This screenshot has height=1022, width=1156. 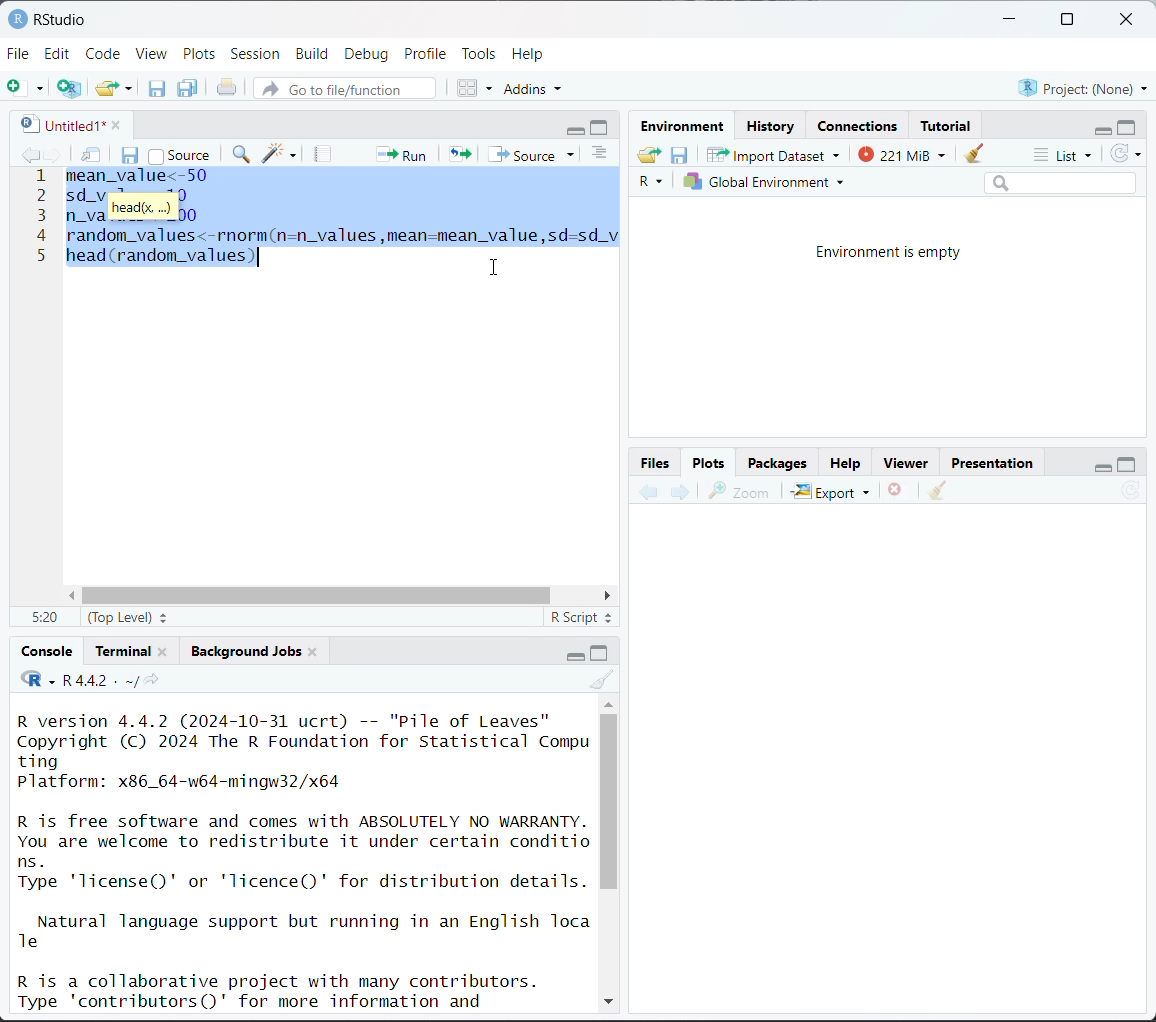 What do you see at coordinates (179, 153) in the screenshot?
I see `source` at bounding box center [179, 153].